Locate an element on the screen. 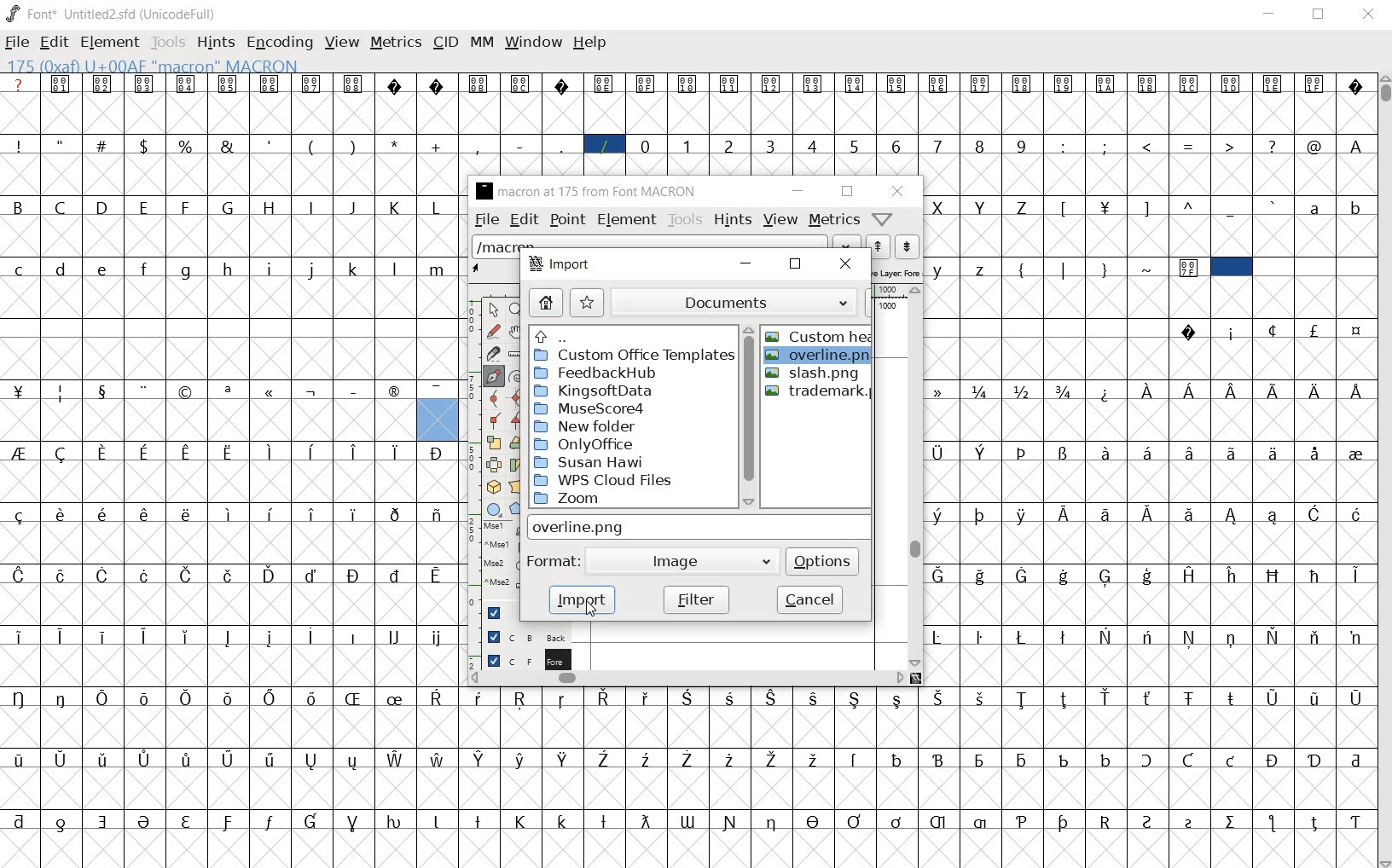  Symbol is located at coordinates (940, 697).